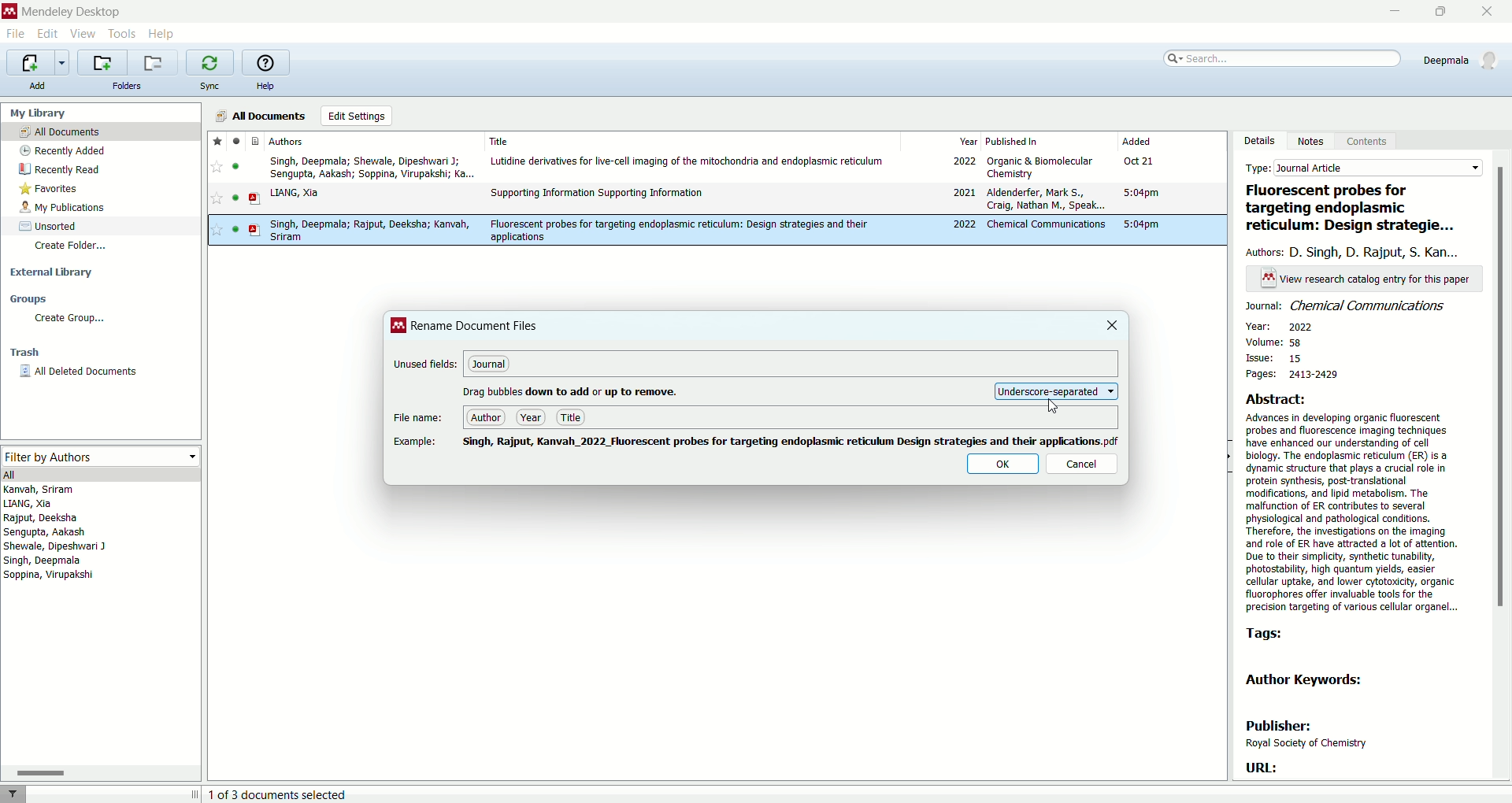 This screenshot has width=1512, height=803. Describe the element at coordinates (1059, 408) in the screenshot. I see `cursor` at that location.